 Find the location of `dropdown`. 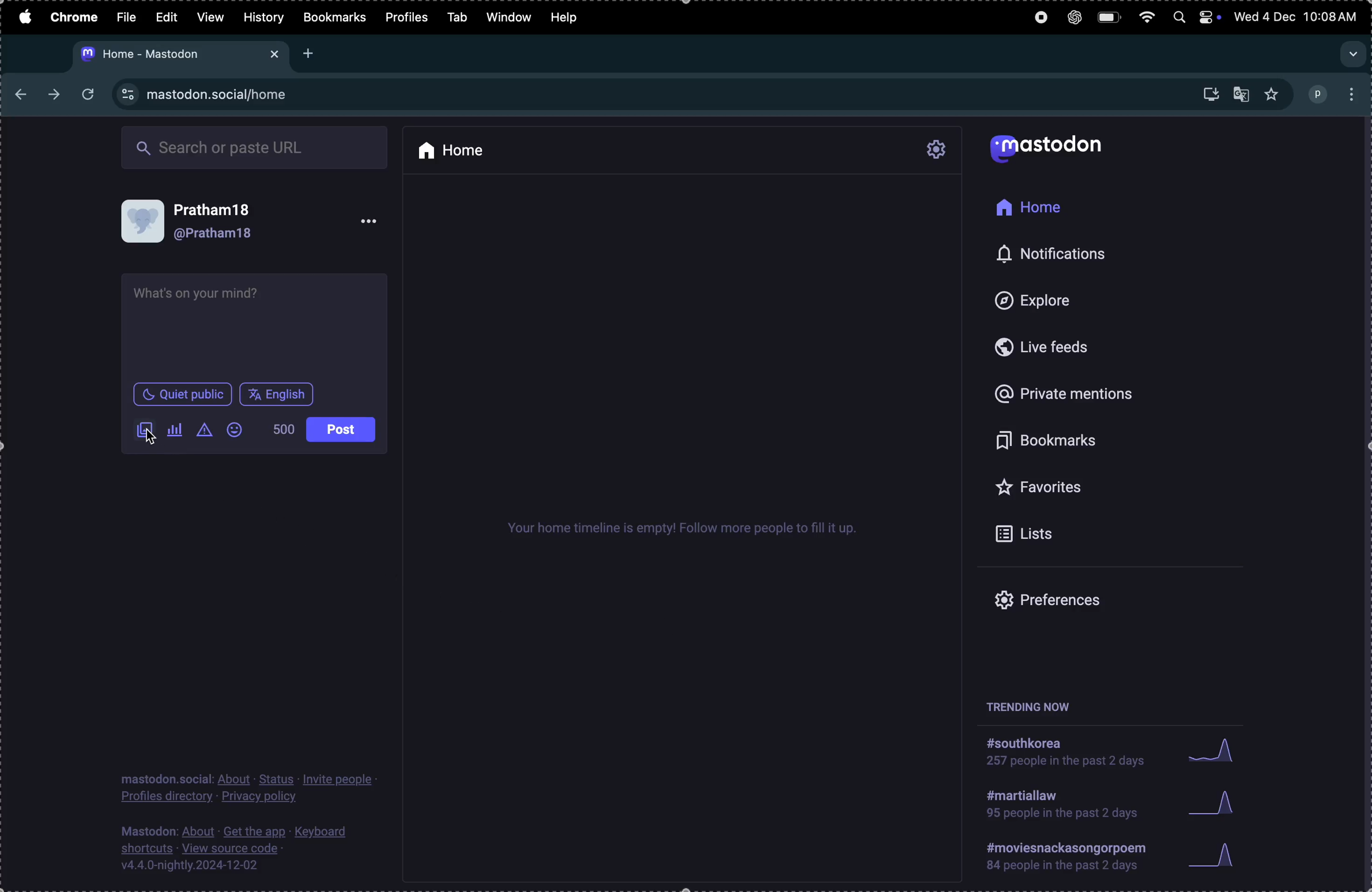

dropdown is located at coordinates (1351, 54).